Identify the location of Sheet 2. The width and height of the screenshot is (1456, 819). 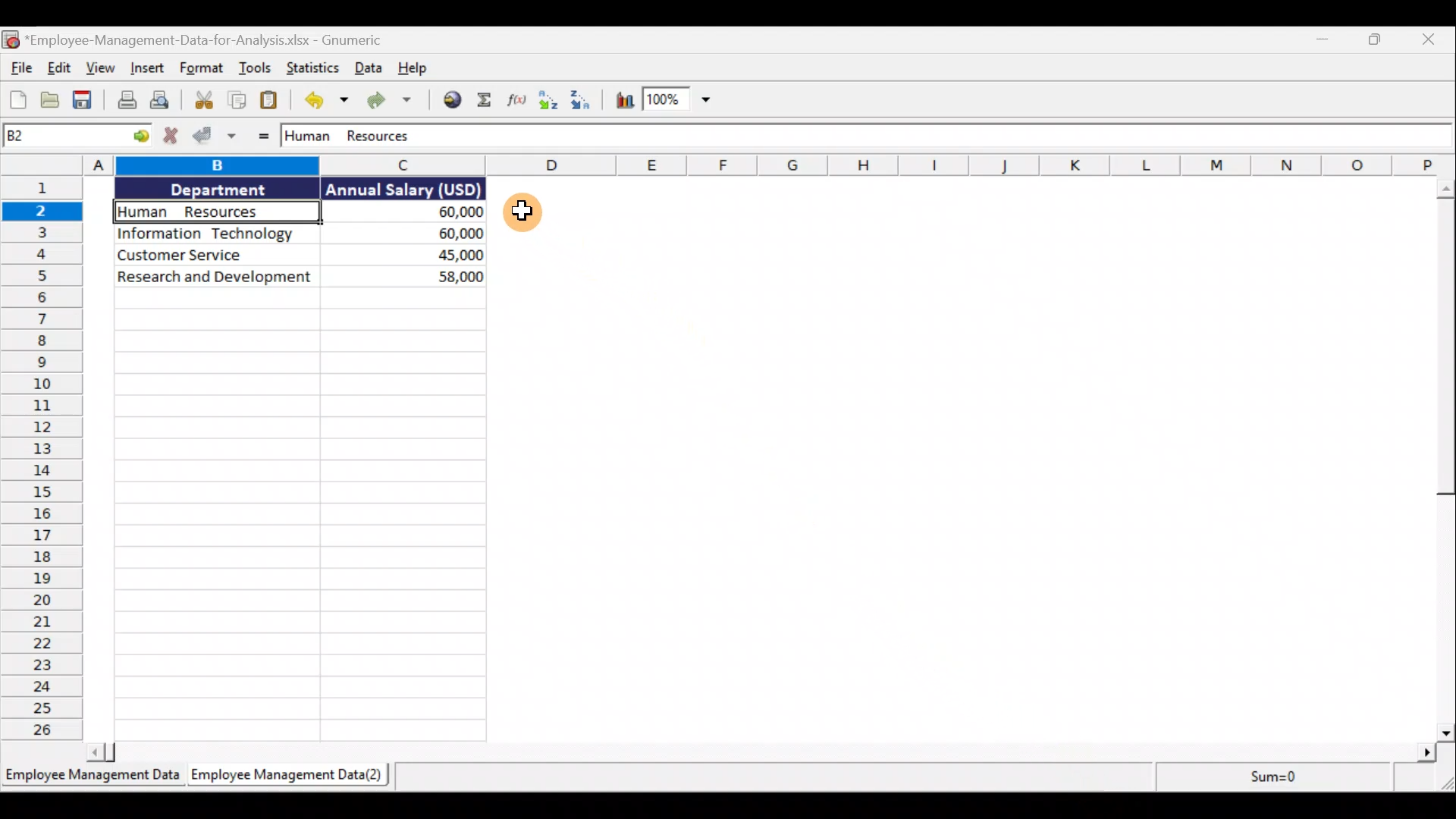
(295, 776).